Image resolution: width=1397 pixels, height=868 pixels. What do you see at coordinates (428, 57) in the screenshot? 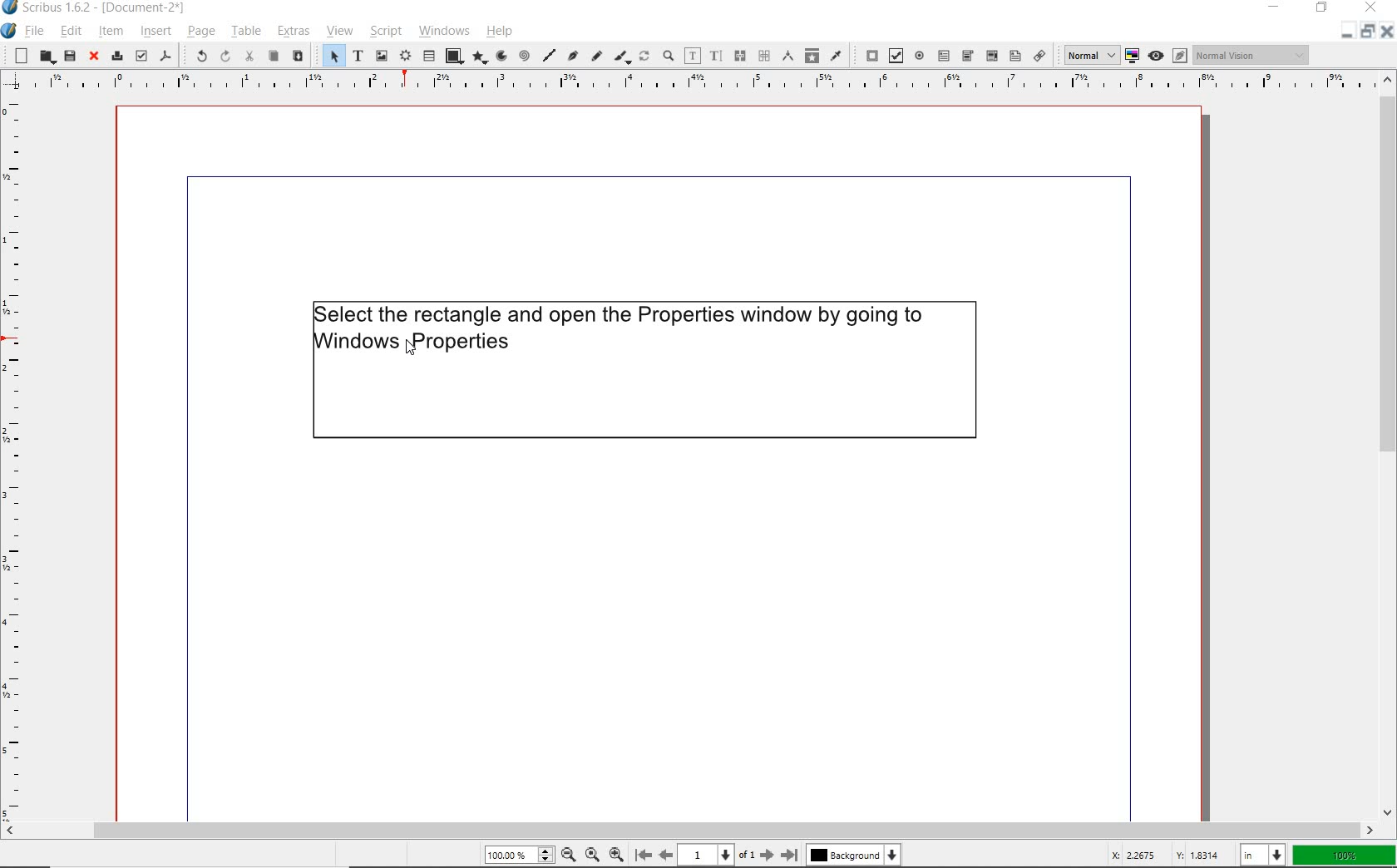
I see `table` at bounding box center [428, 57].